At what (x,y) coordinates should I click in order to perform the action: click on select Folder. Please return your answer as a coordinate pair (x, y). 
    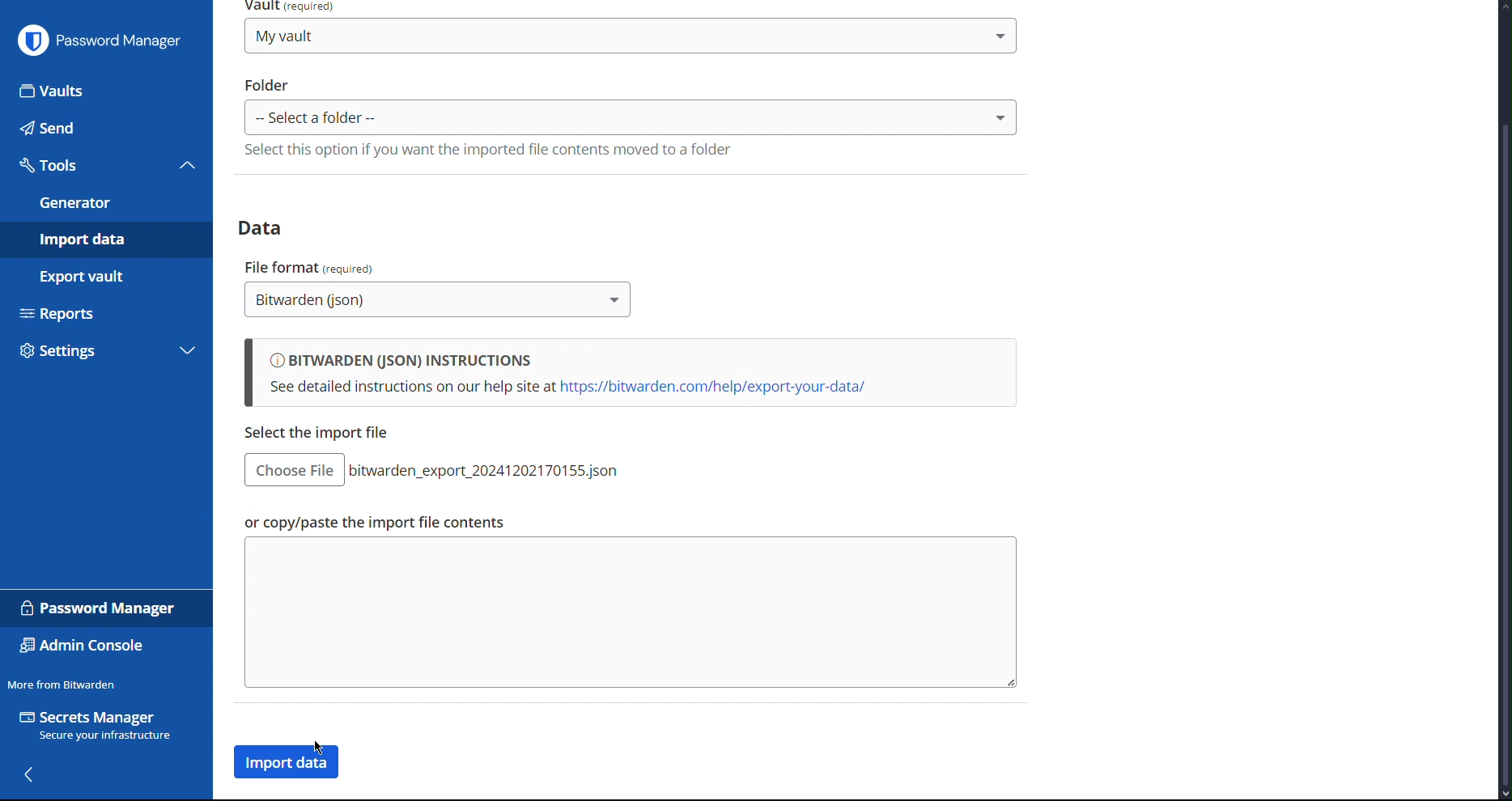
    Looking at the image, I should click on (631, 117).